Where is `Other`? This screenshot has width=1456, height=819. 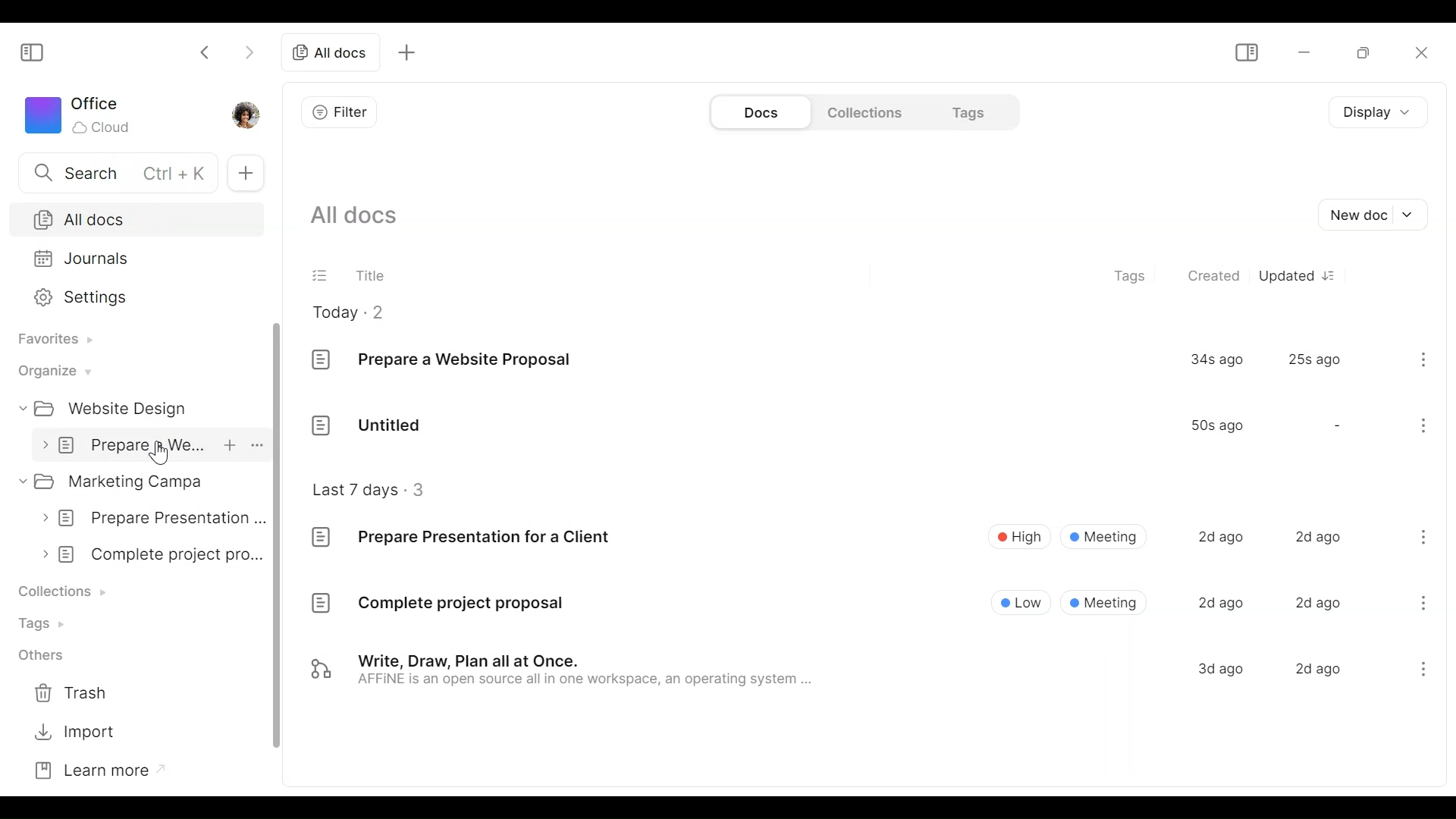
Other is located at coordinates (36, 654).